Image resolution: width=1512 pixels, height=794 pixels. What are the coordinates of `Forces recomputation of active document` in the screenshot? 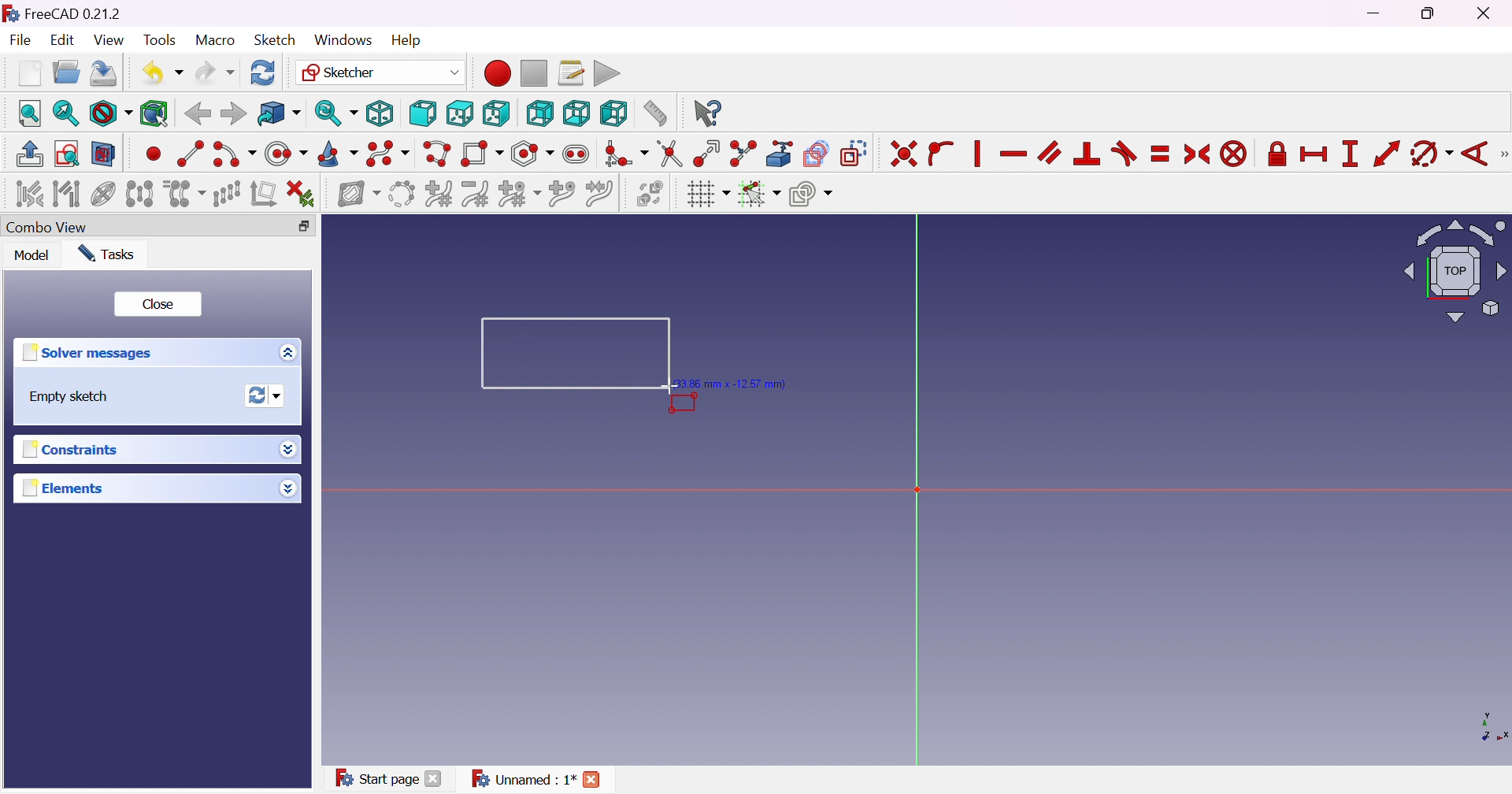 It's located at (269, 395).